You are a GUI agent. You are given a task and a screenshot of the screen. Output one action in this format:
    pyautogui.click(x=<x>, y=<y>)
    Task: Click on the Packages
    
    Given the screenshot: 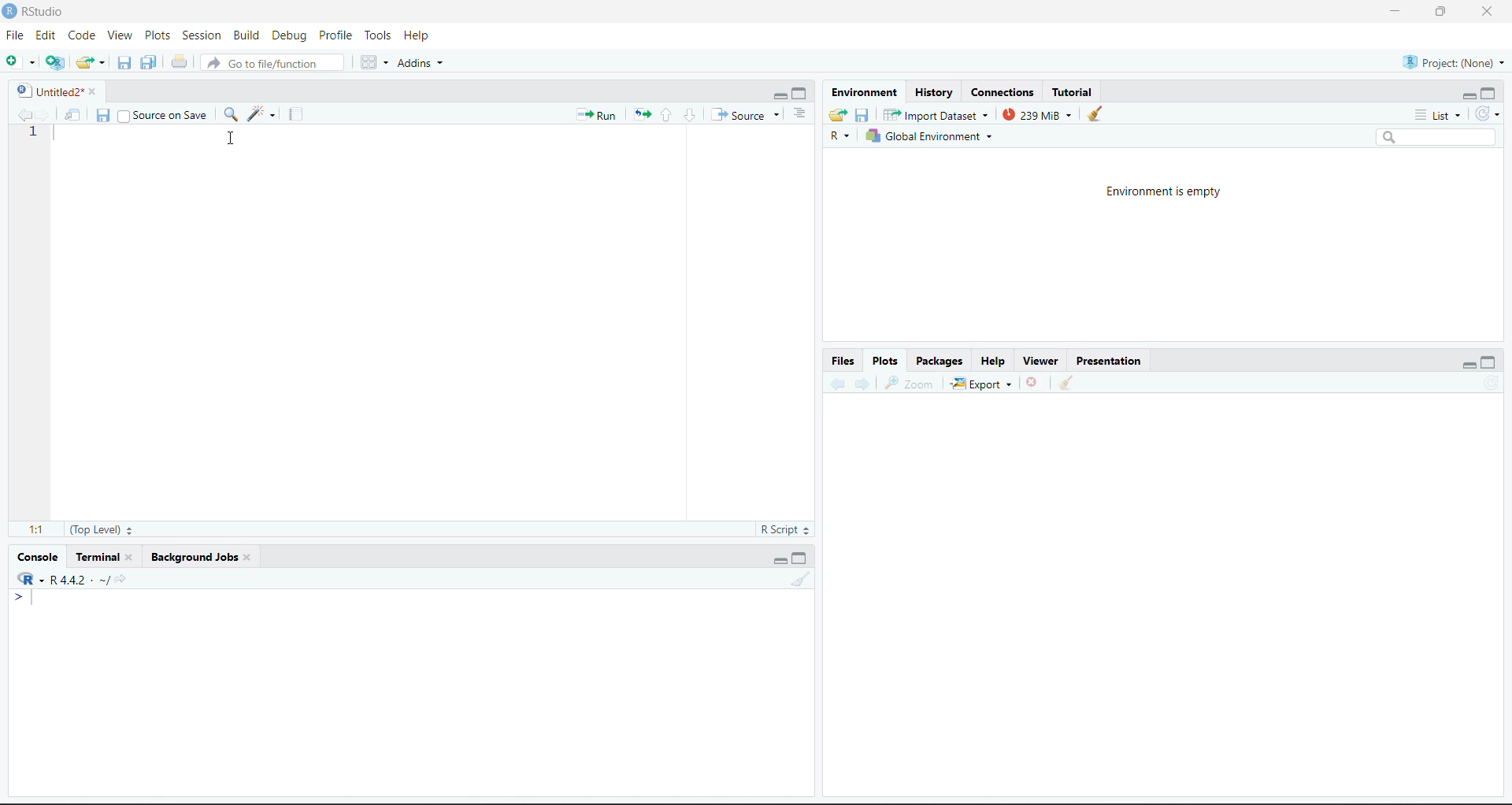 What is the action you would take?
    pyautogui.click(x=941, y=361)
    